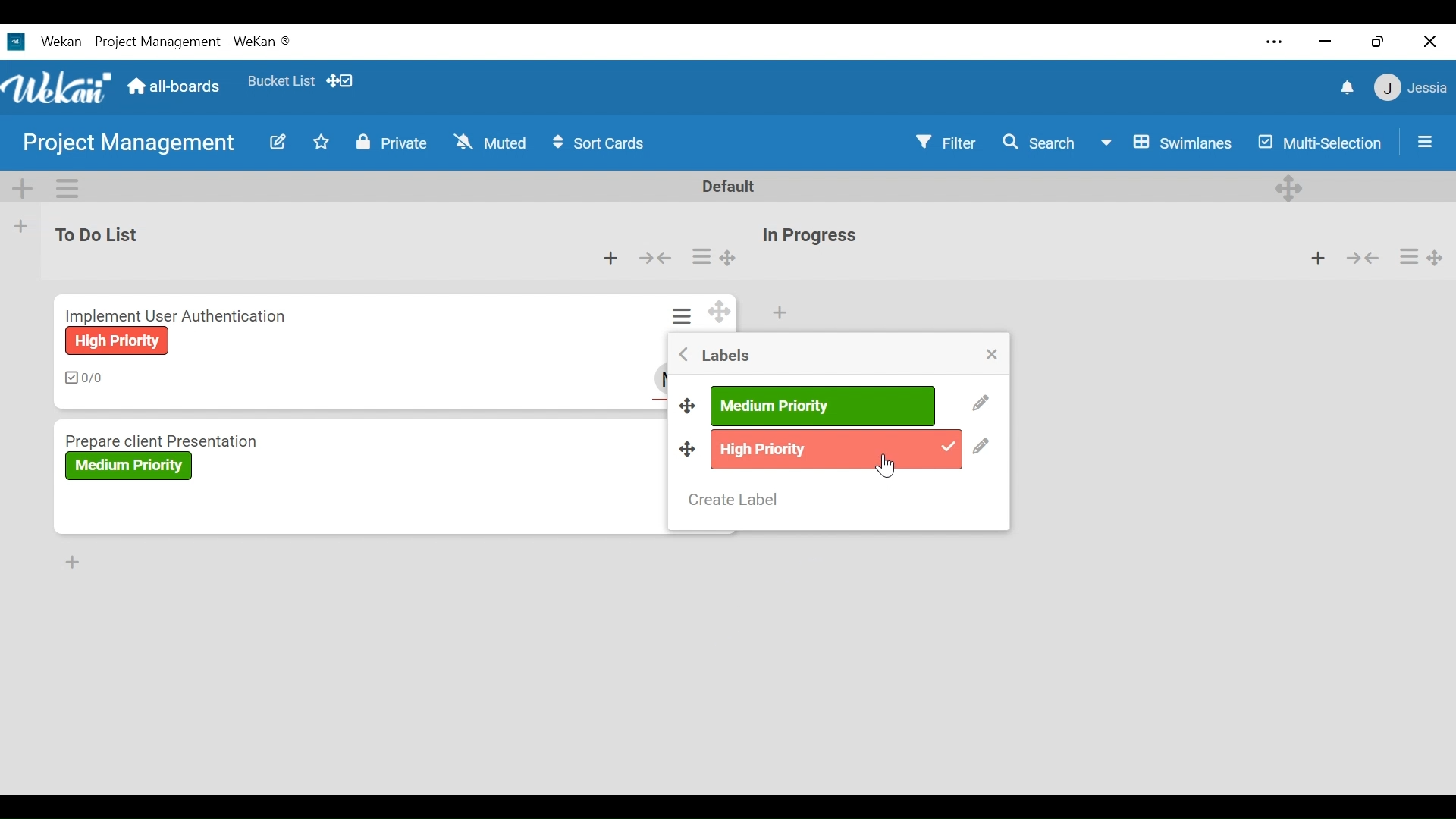 The width and height of the screenshot is (1456, 819). Describe the element at coordinates (720, 312) in the screenshot. I see `Desktop drag handle` at that location.